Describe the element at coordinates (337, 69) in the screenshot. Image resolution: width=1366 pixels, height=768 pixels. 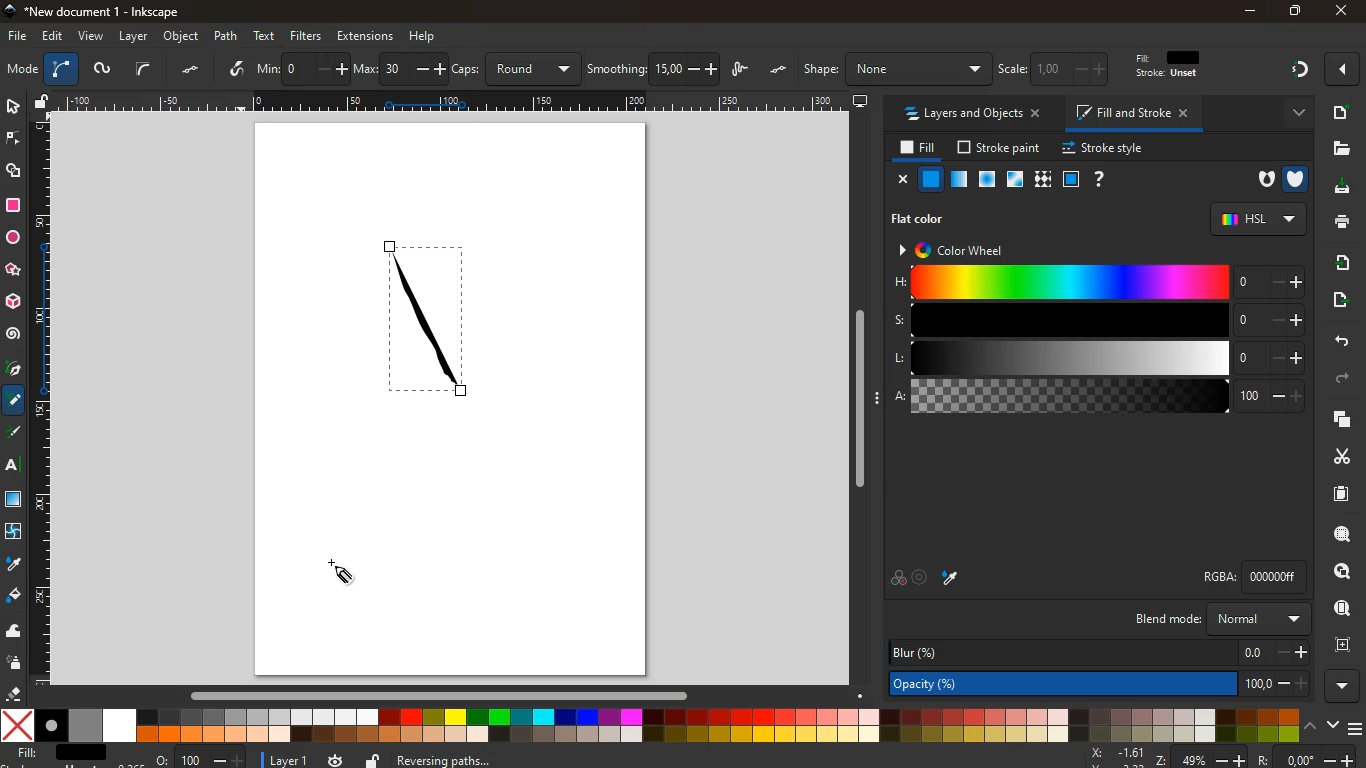
I see `object to path` at that location.